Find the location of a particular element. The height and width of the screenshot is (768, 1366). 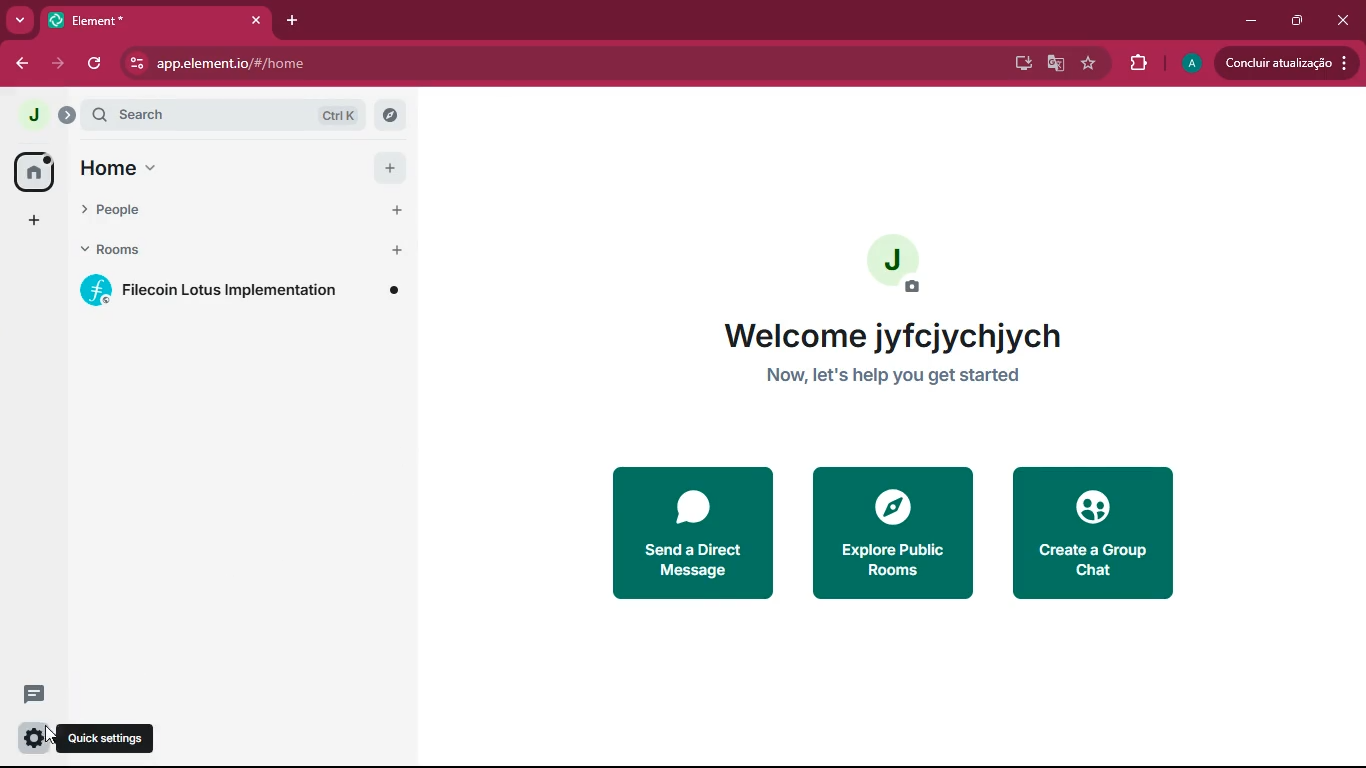

app.element.io/#/home is located at coordinates (349, 64).